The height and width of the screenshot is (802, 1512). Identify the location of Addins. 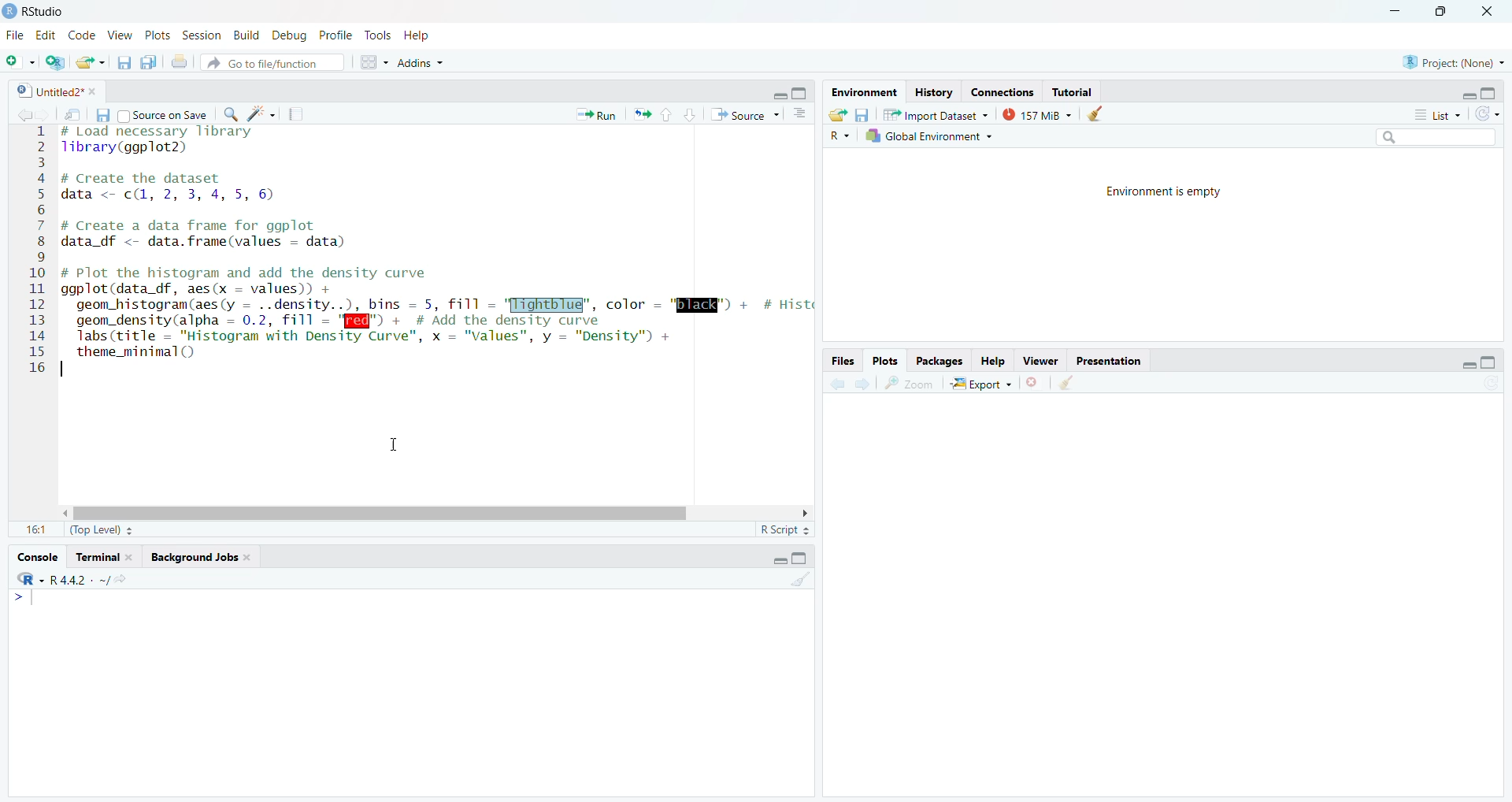
(417, 61).